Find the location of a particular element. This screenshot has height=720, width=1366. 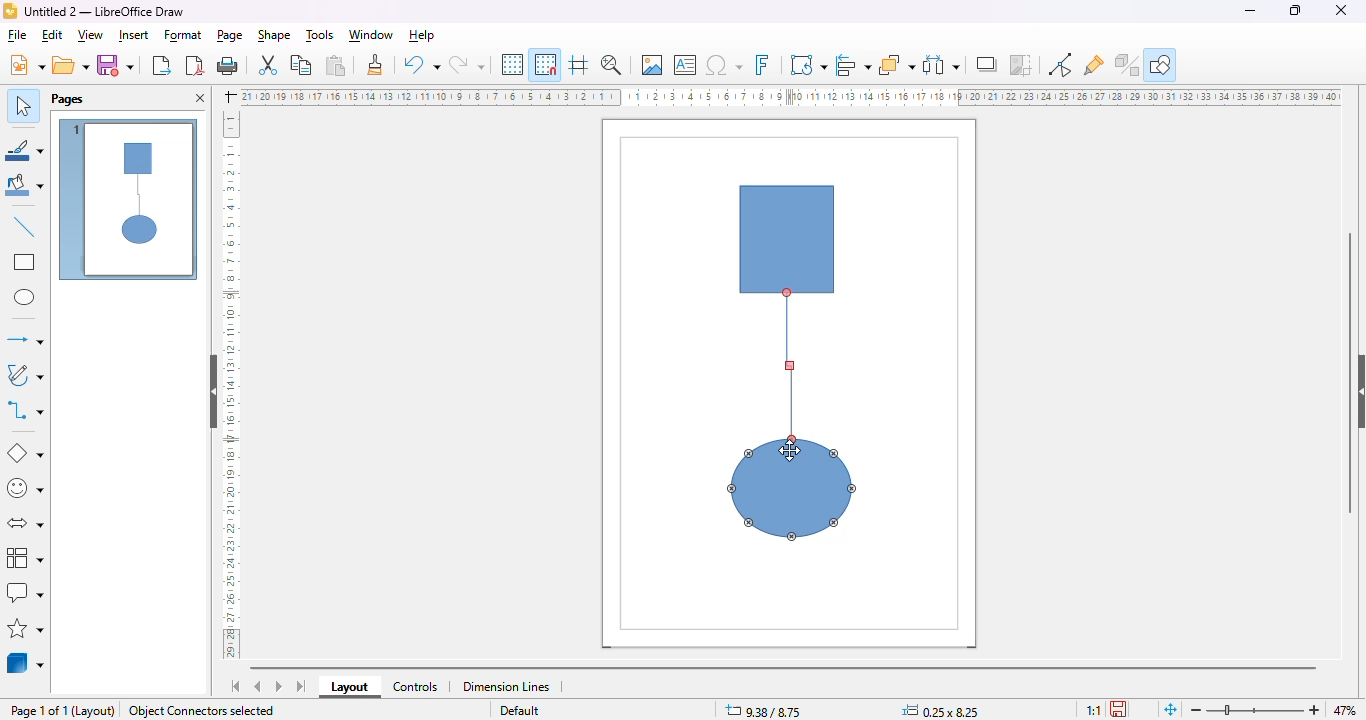

undo is located at coordinates (421, 66).